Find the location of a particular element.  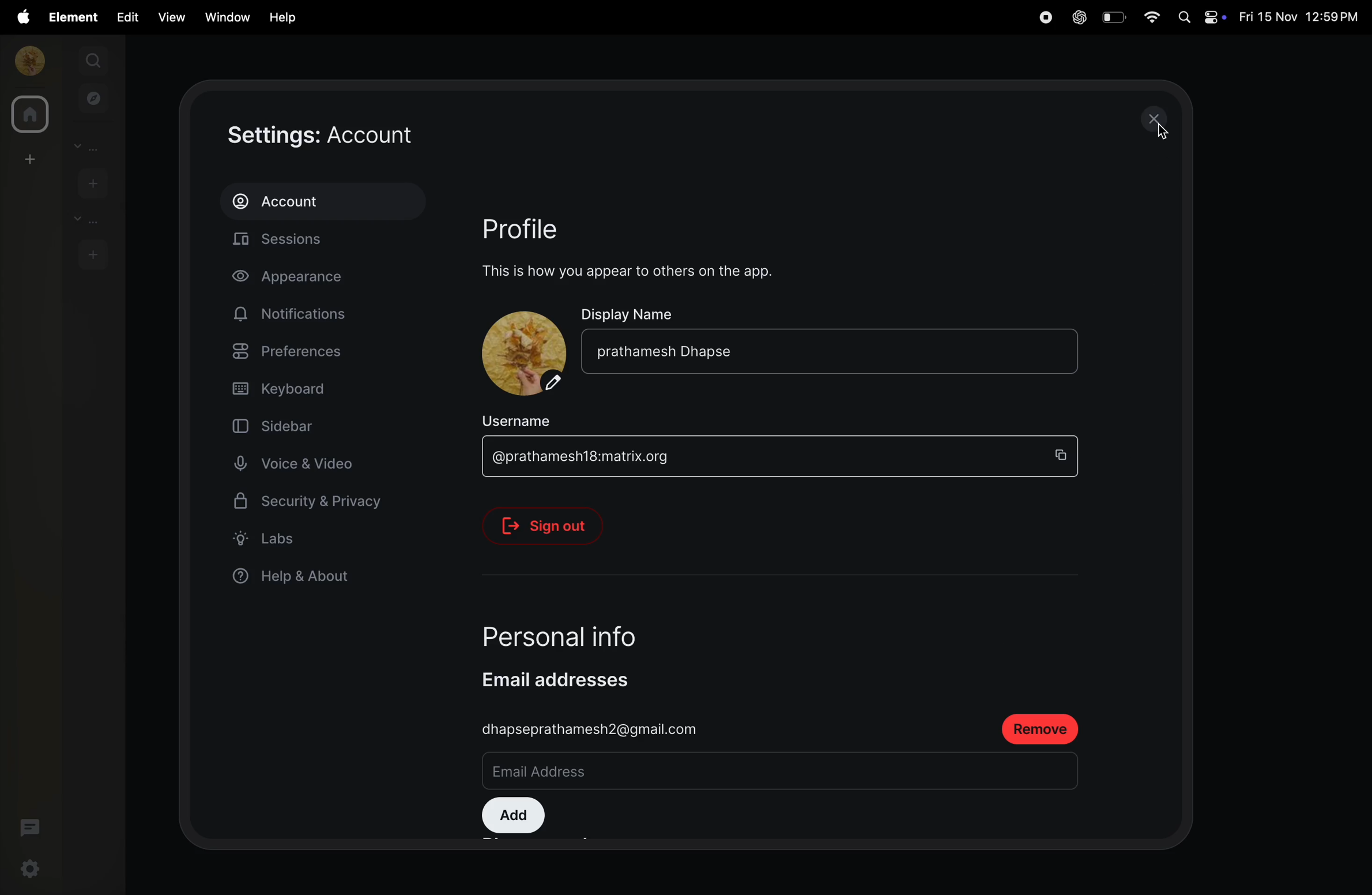

apple widgets is located at coordinates (1201, 16).